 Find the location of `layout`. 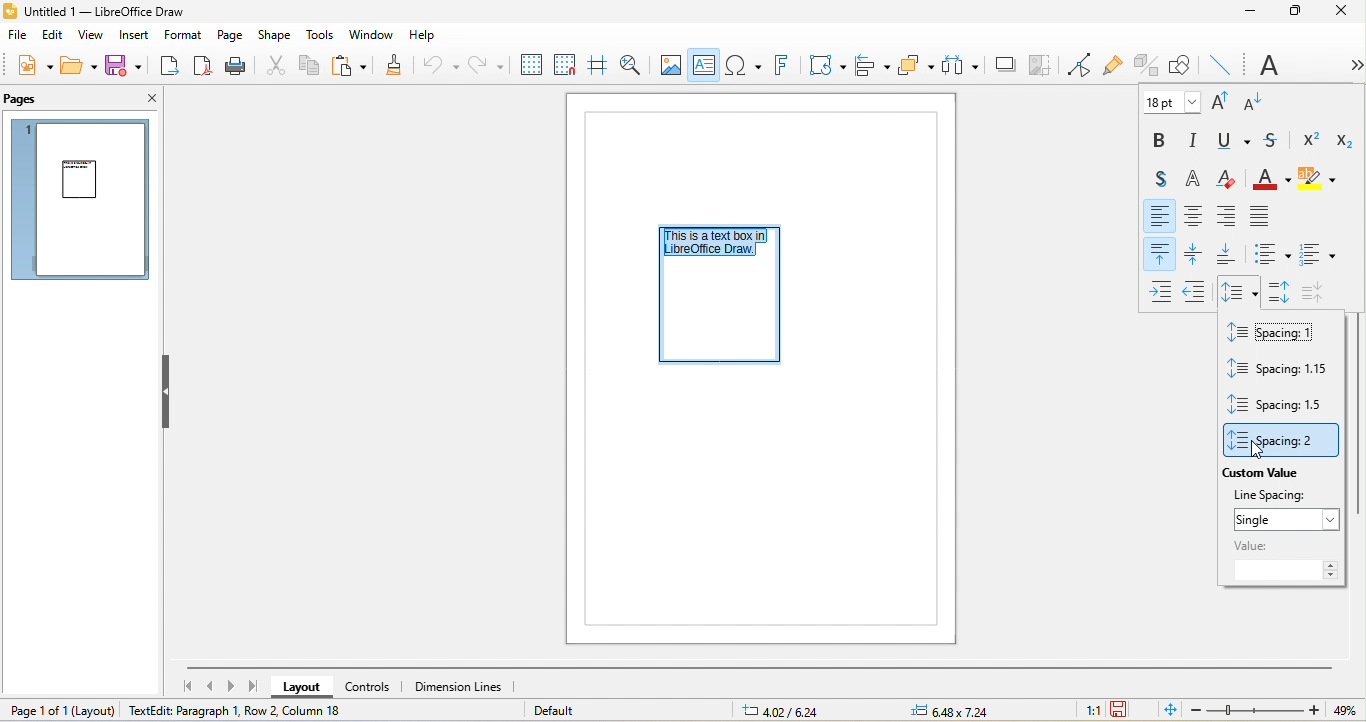

layout is located at coordinates (306, 688).